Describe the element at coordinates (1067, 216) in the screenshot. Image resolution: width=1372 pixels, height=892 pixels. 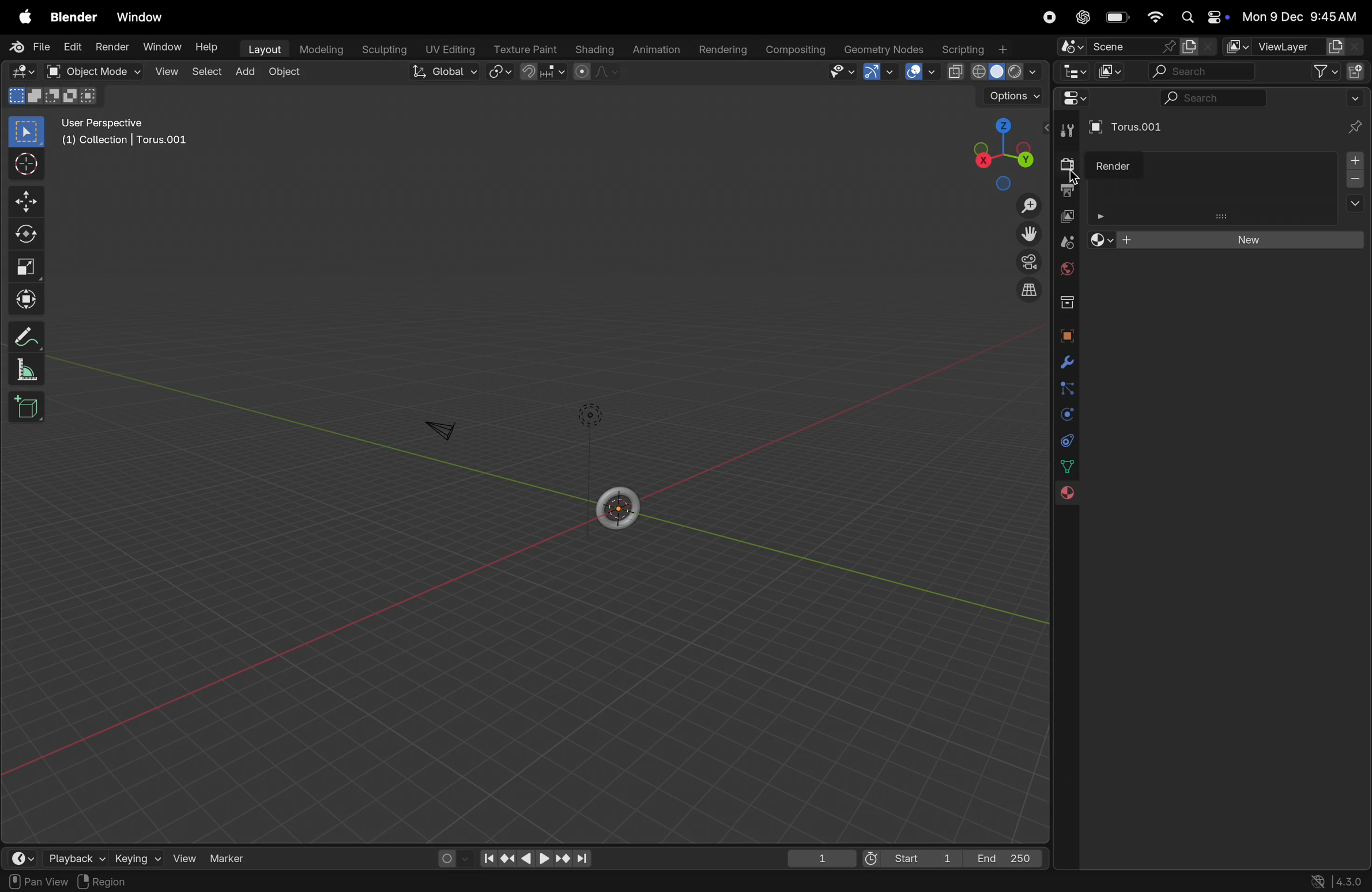
I see `view layer` at that location.